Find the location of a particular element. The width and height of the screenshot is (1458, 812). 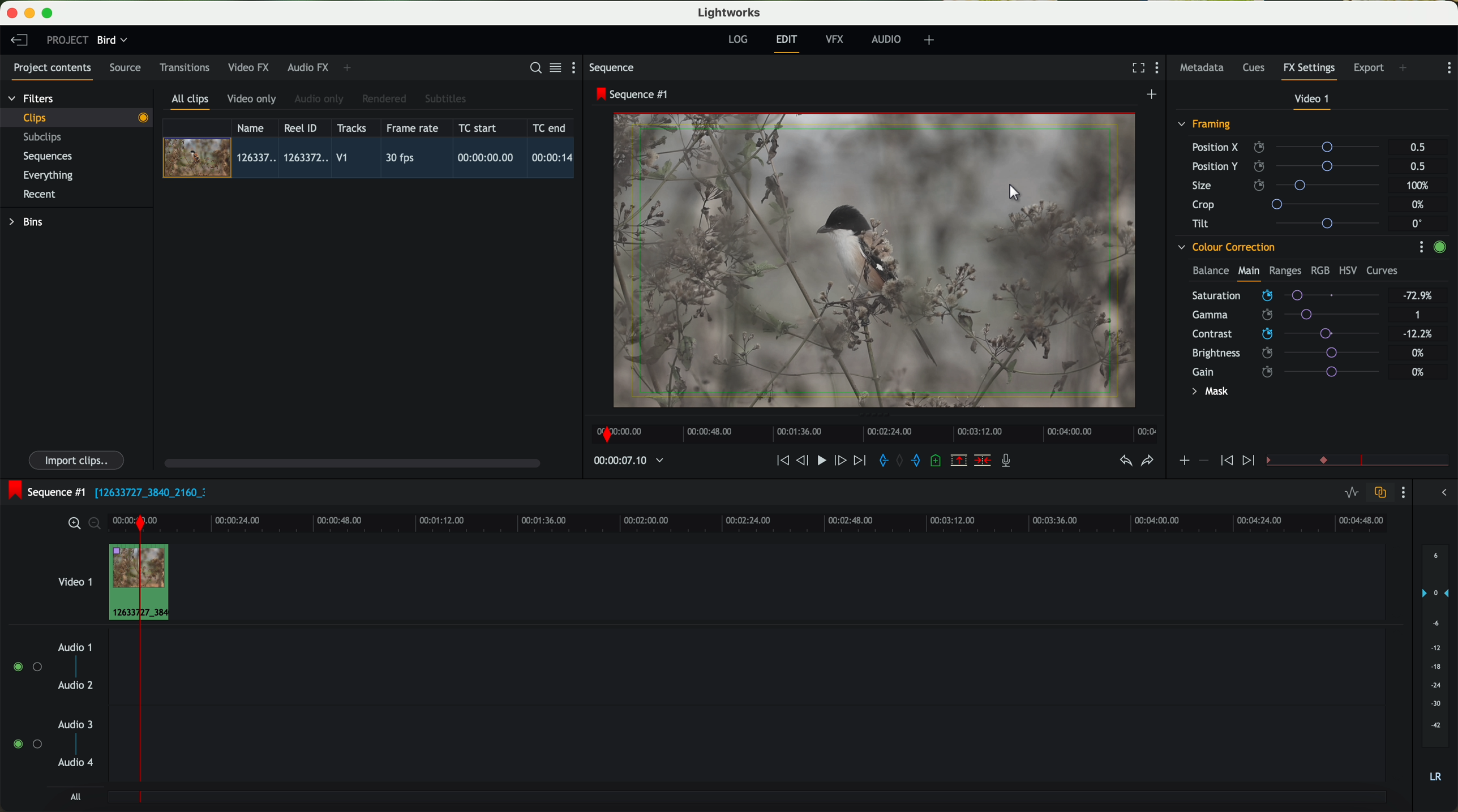

clear marks is located at coordinates (900, 461).